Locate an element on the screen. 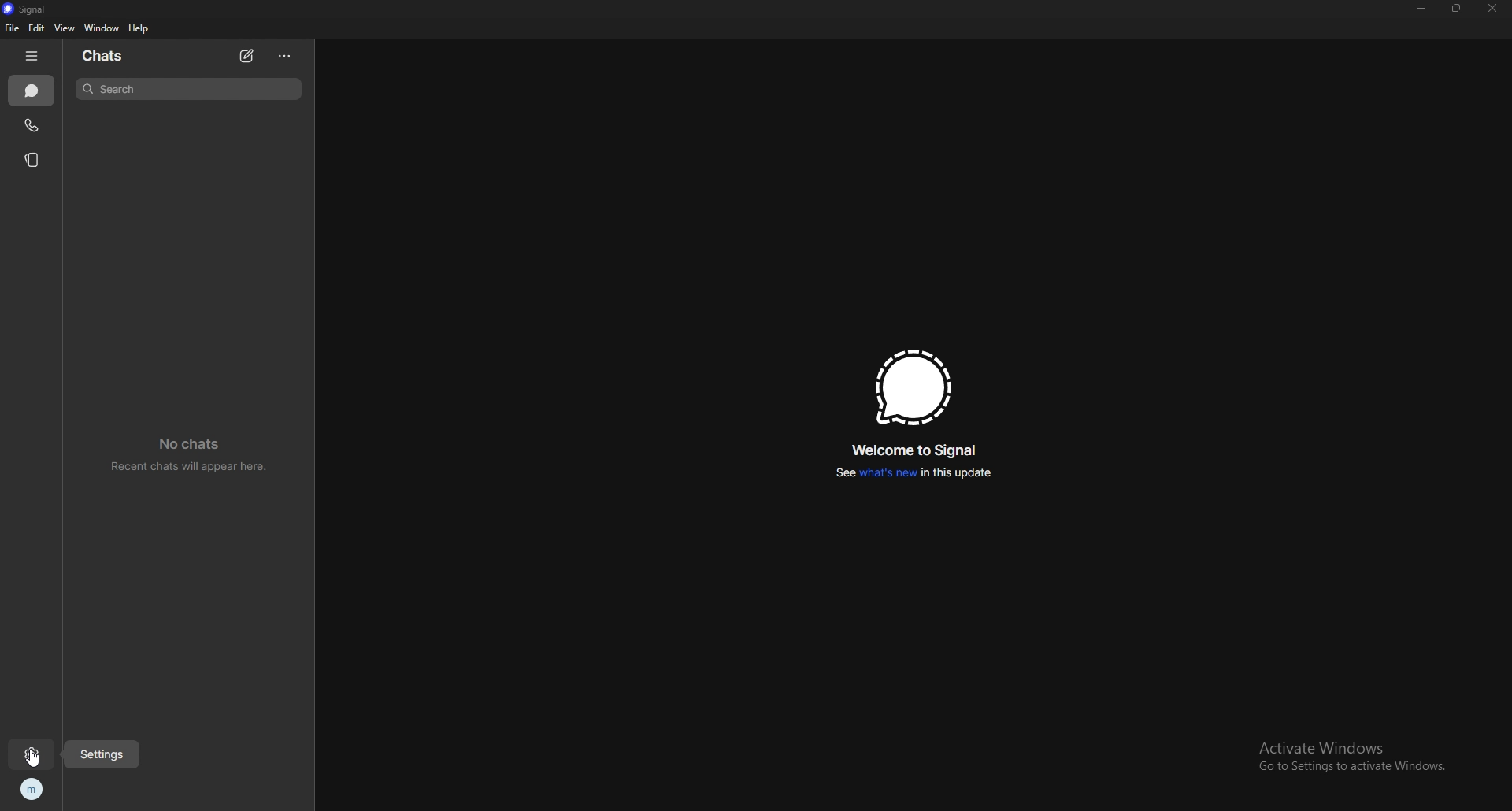  resize is located at coordinates (1455, 8).